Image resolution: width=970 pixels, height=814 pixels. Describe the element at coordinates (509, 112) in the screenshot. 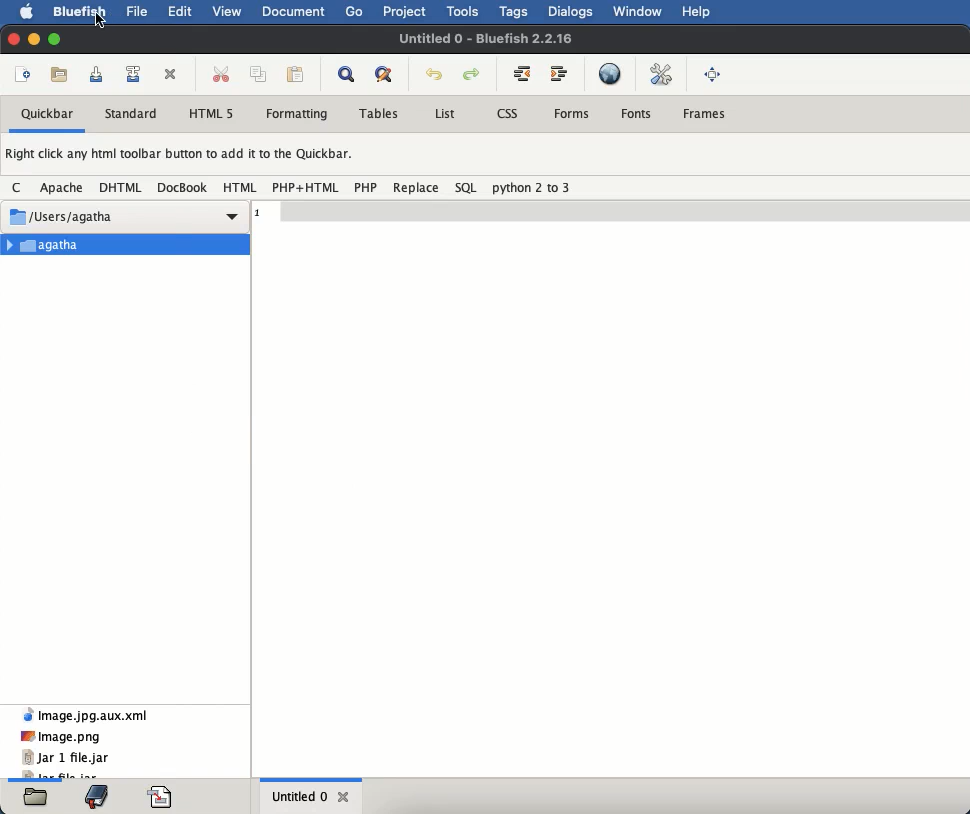

I see `css` at that location.